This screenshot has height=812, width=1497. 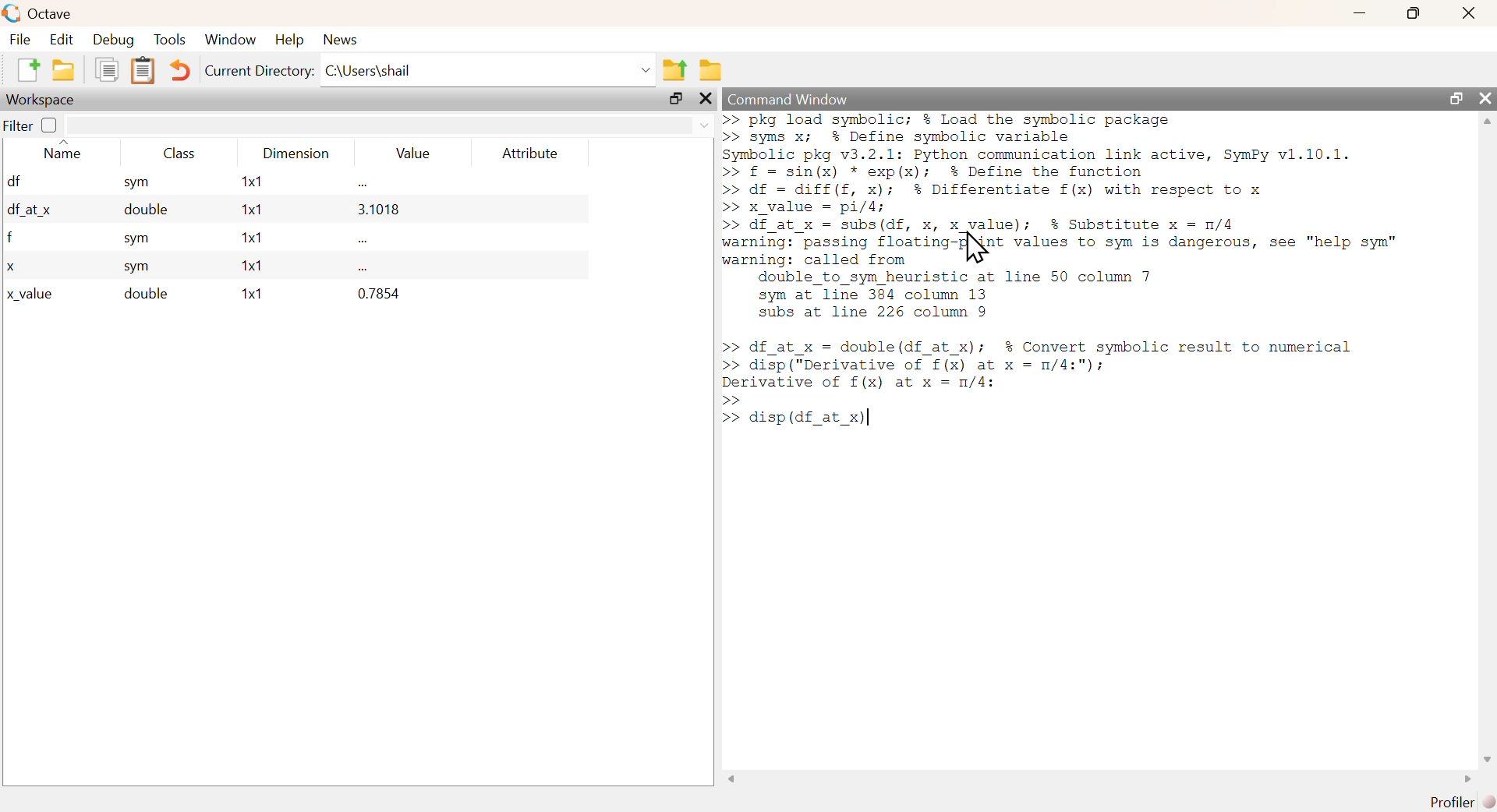 I want to click on Tools, so click(x=171, y=40).